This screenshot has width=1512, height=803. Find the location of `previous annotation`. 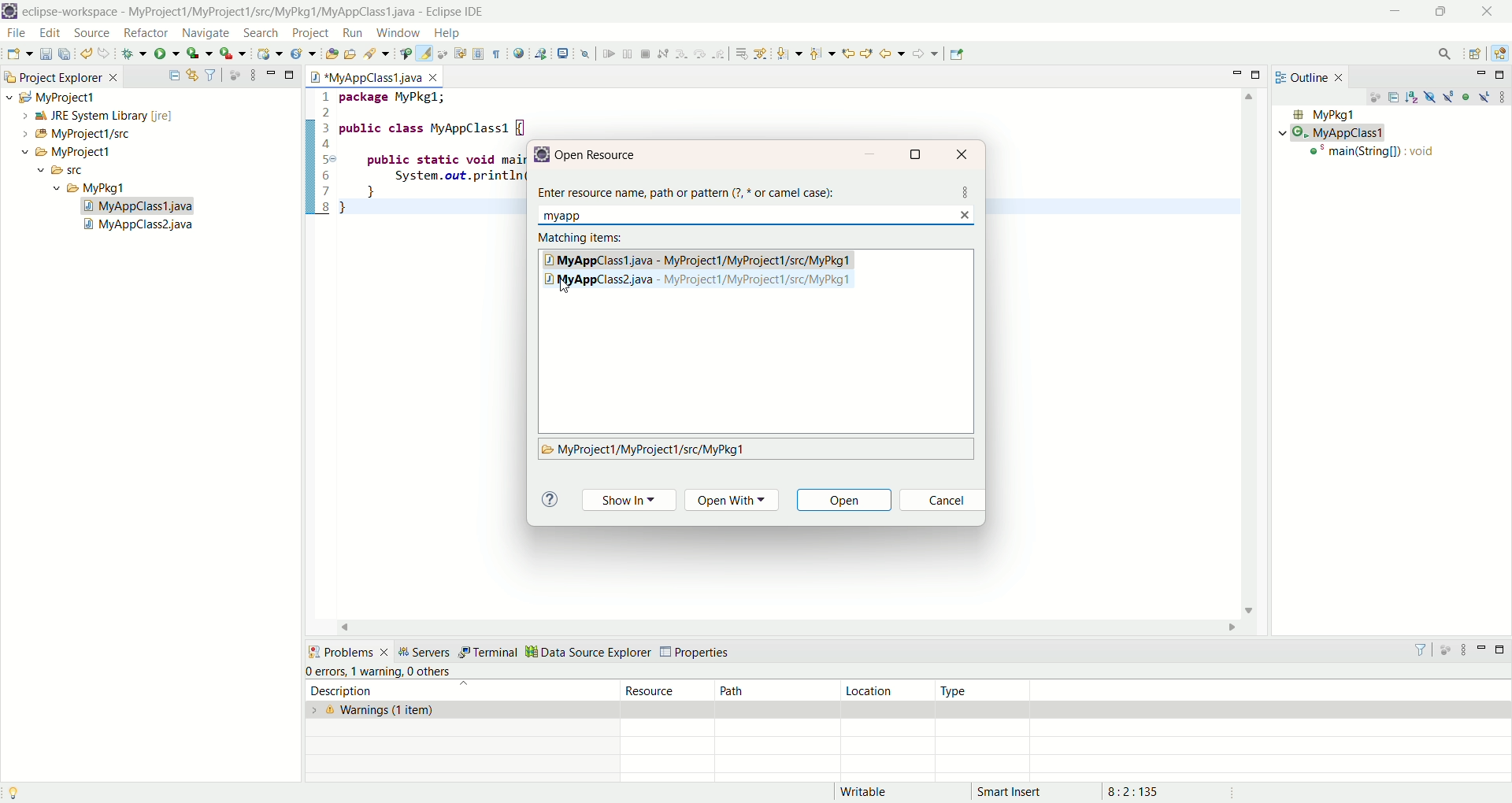

previous annotation is located at coordinates (822, 54).